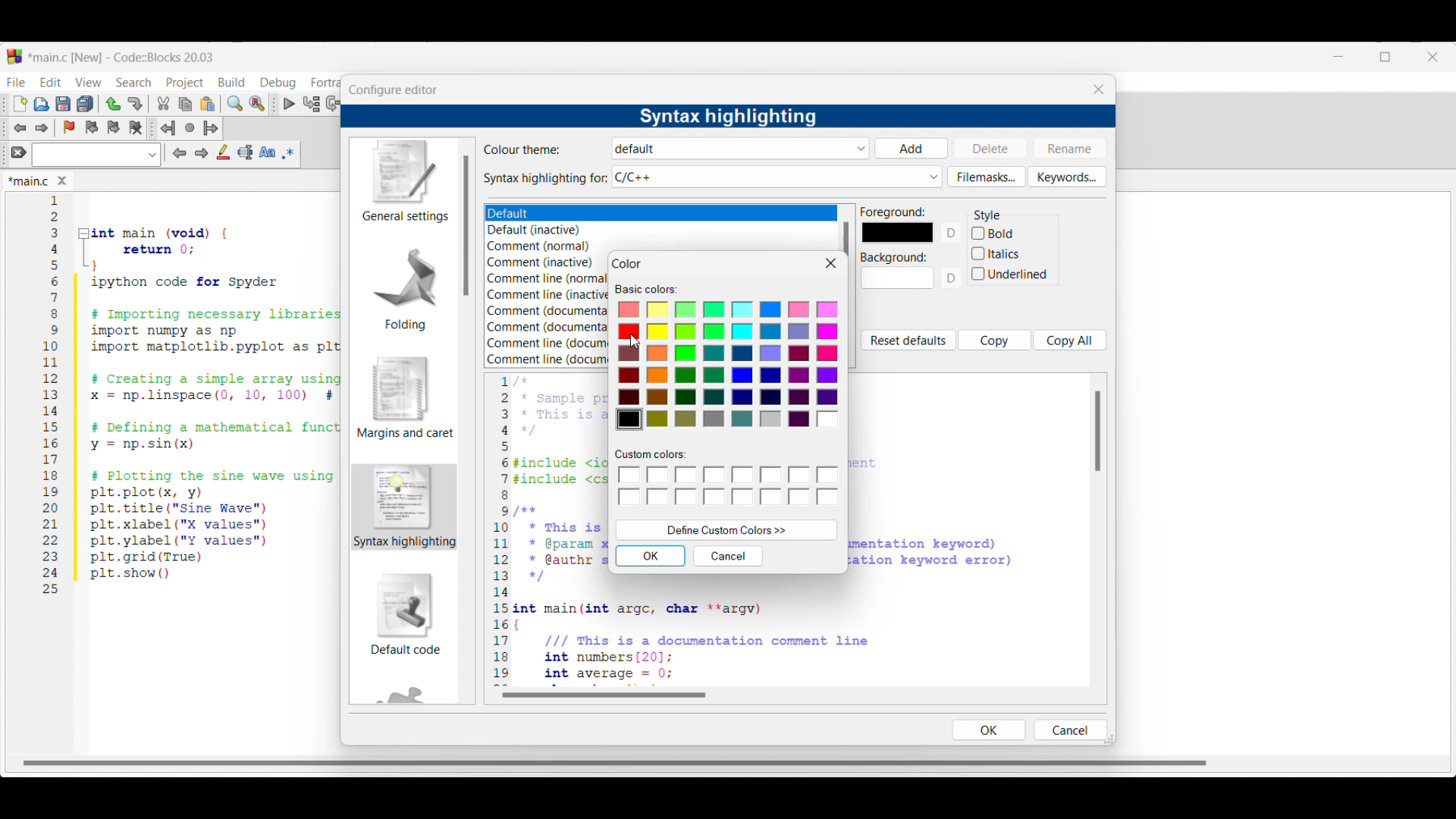  What do you see at coordinates (1432, 57) in the screenshot?
I see `Close interface` at bounding box center [1432, 57].